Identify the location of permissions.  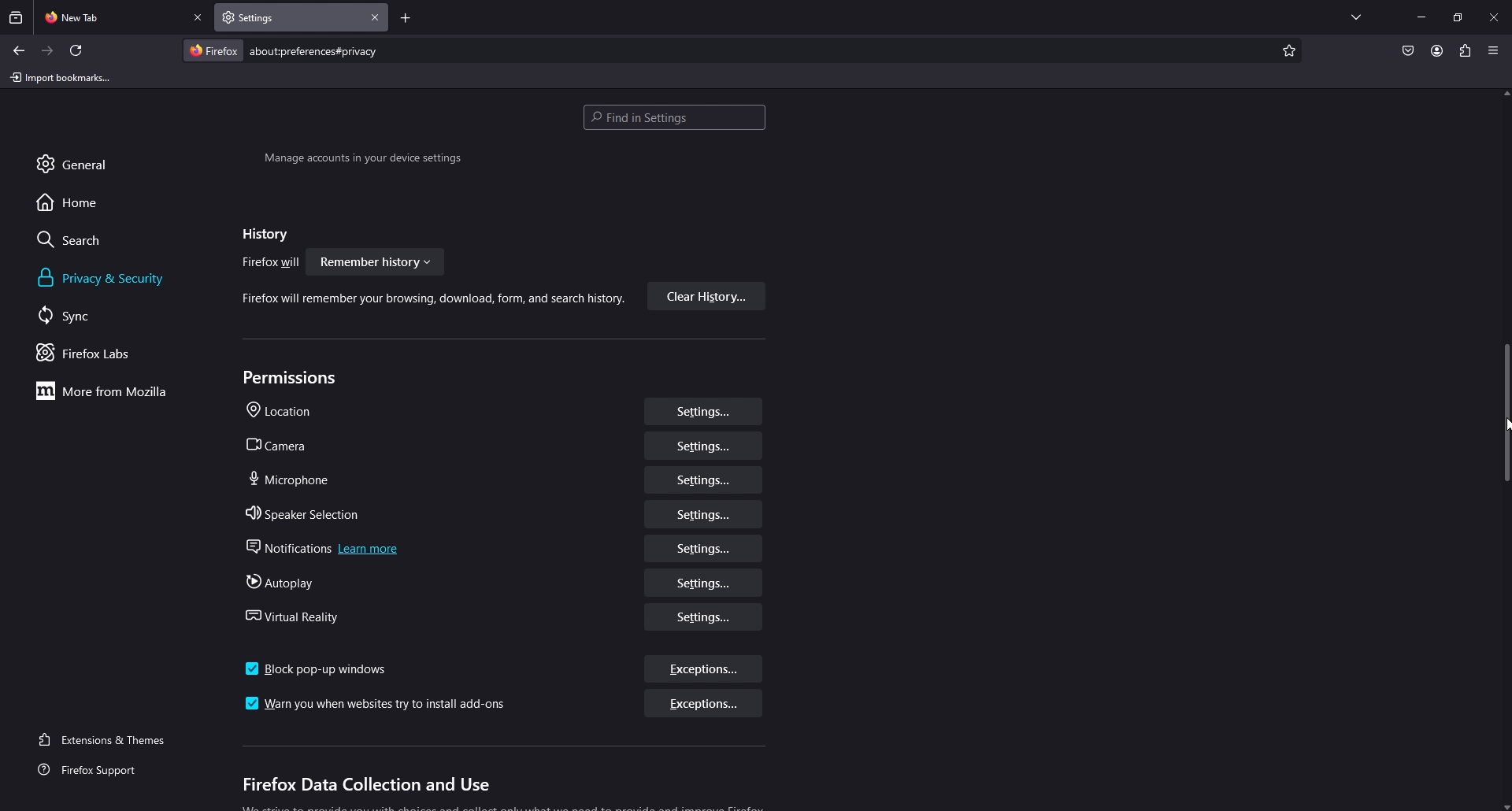
(294, 378).